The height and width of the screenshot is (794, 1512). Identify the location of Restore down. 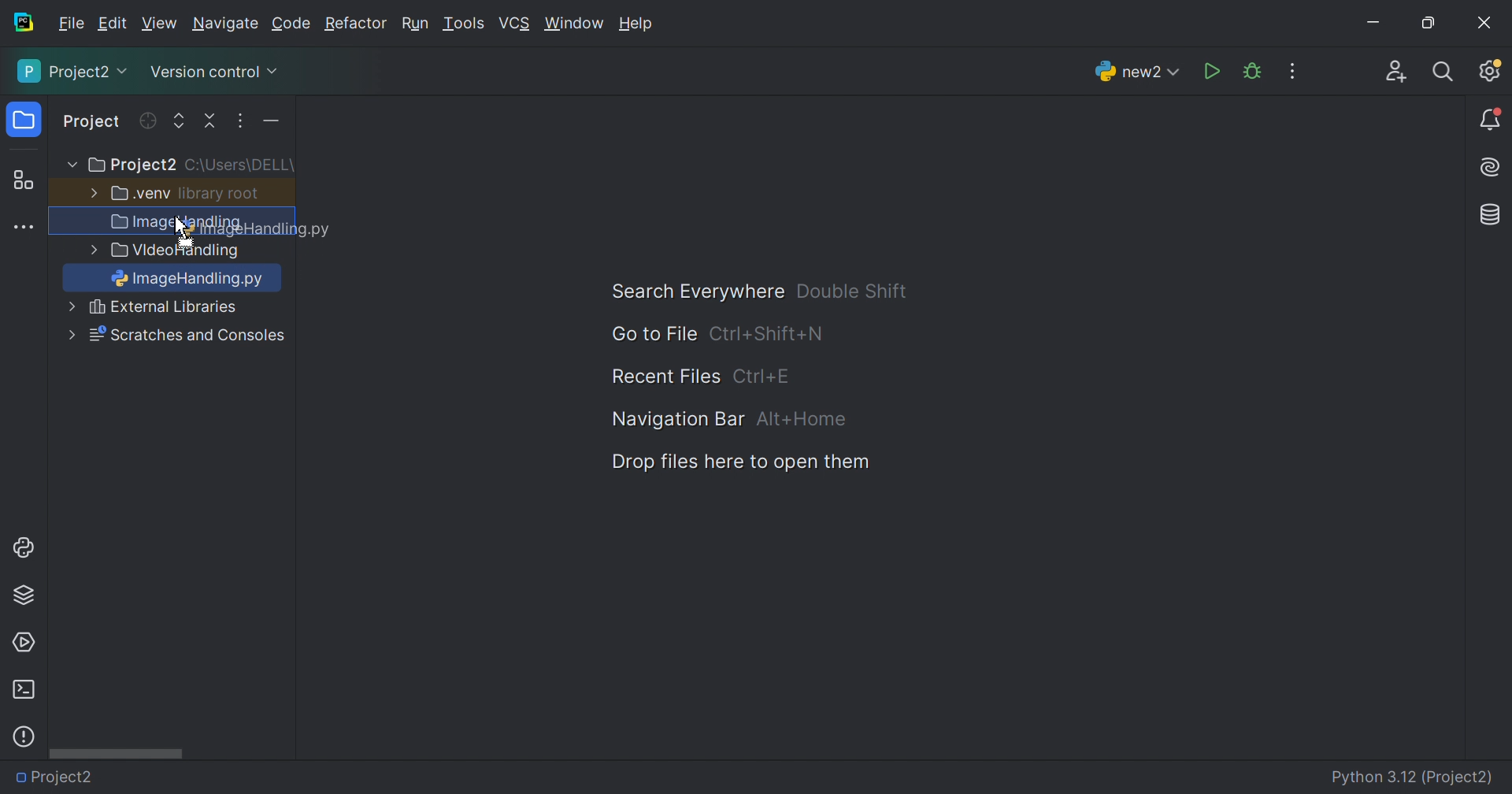
(1427, 24).